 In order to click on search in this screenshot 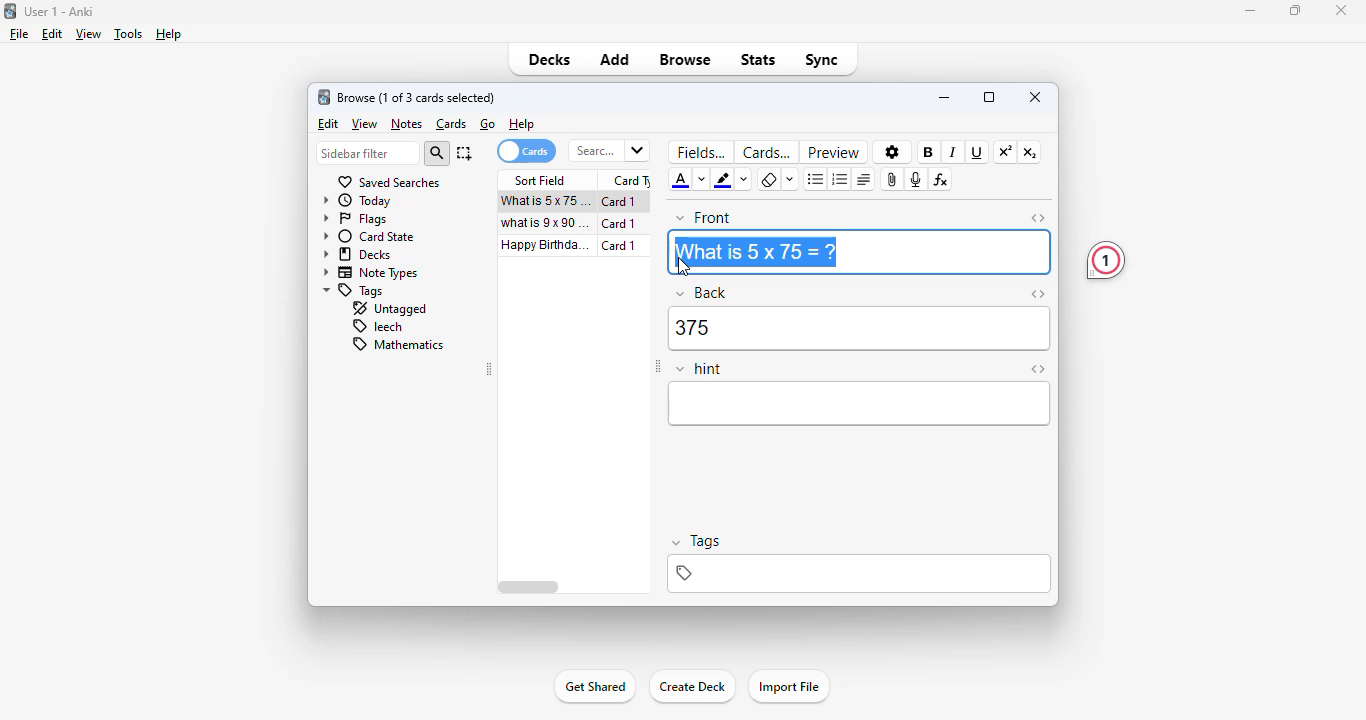, I will do `click(610, 151)`.